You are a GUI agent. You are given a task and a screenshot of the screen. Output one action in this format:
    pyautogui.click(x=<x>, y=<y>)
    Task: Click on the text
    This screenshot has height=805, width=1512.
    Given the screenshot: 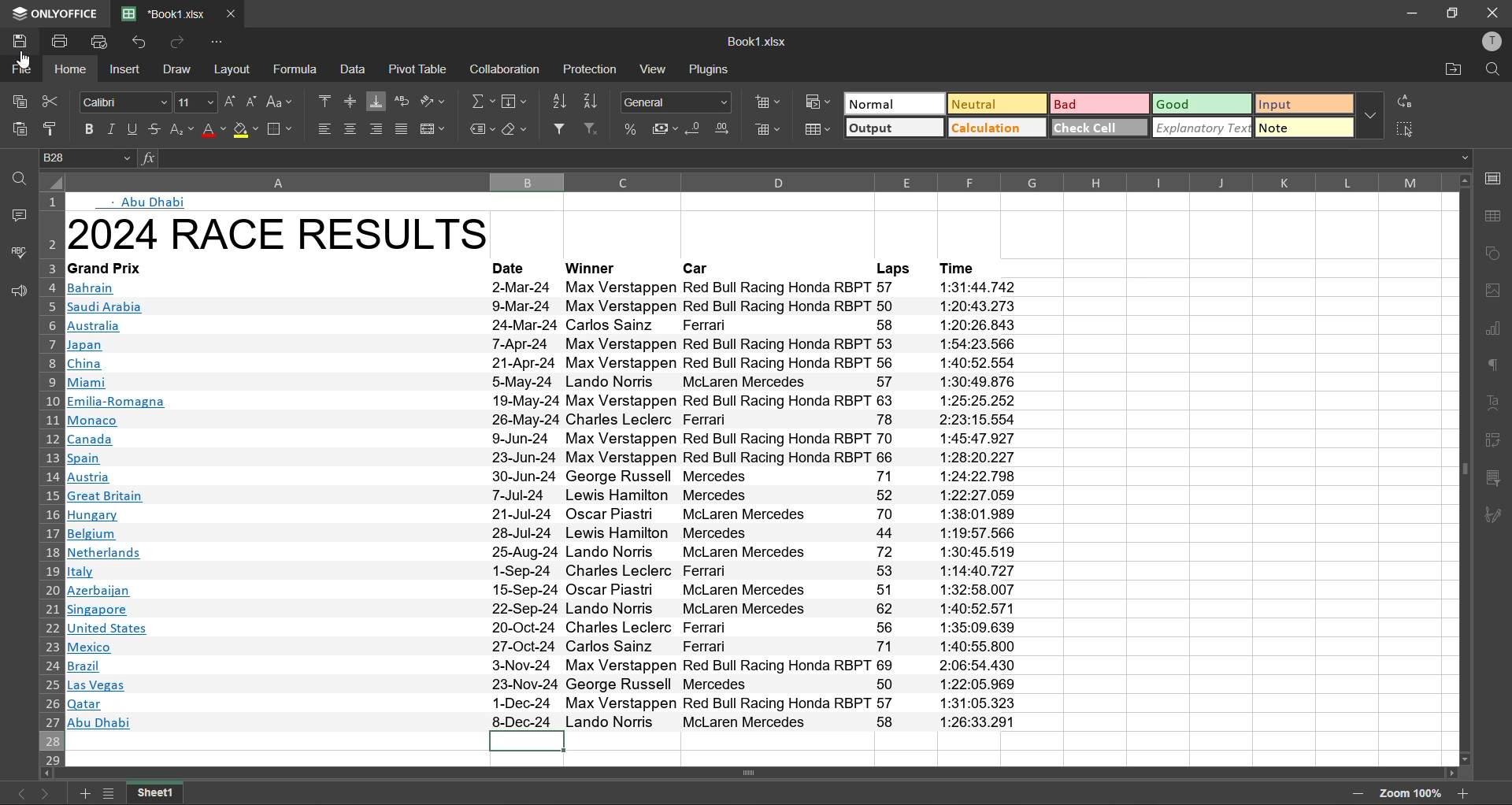 What is the action you would take?
    pyautogui.click(x=1495, y=399)
    